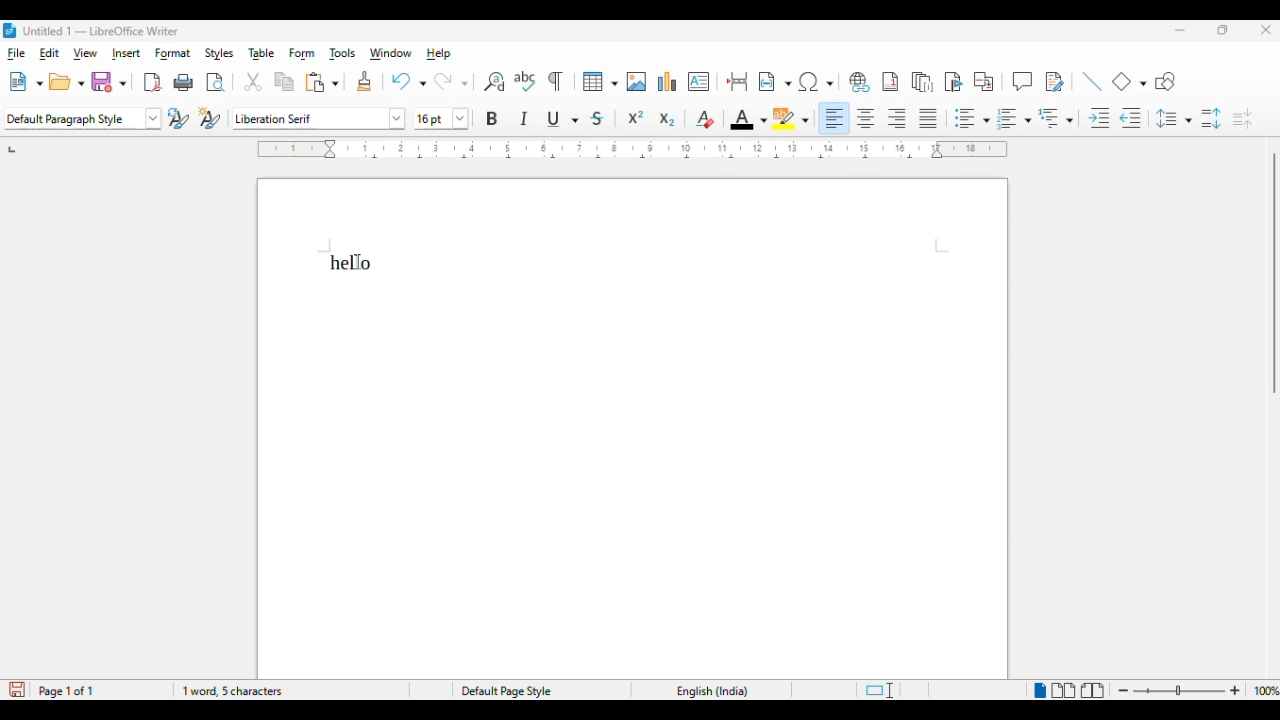  What do you see at coordinates (1265, 690) in the screenshot?
I see `zoom factor` at bounding box center [1265, 690].